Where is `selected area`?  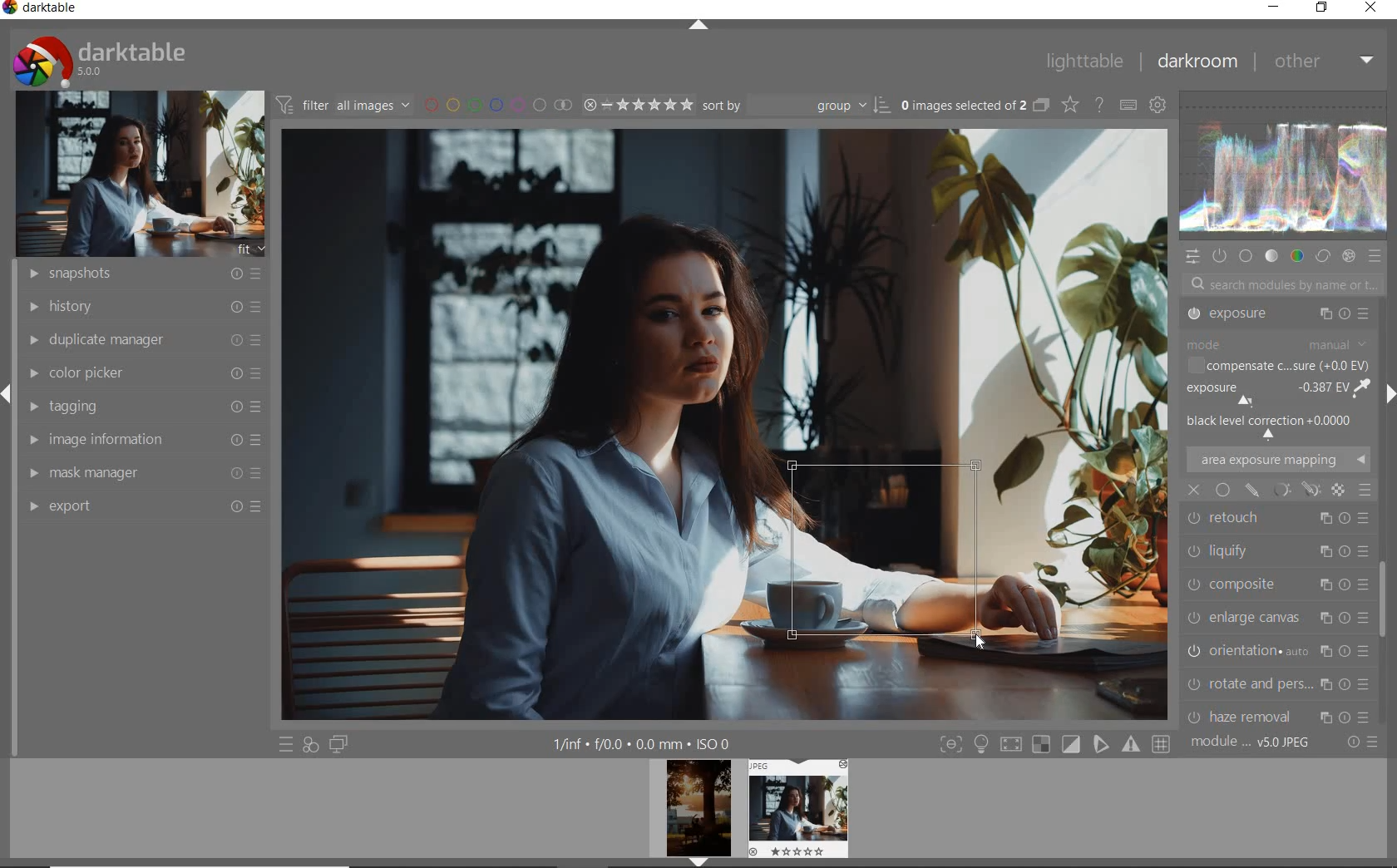
selected area is located at coordinates (886, 552).